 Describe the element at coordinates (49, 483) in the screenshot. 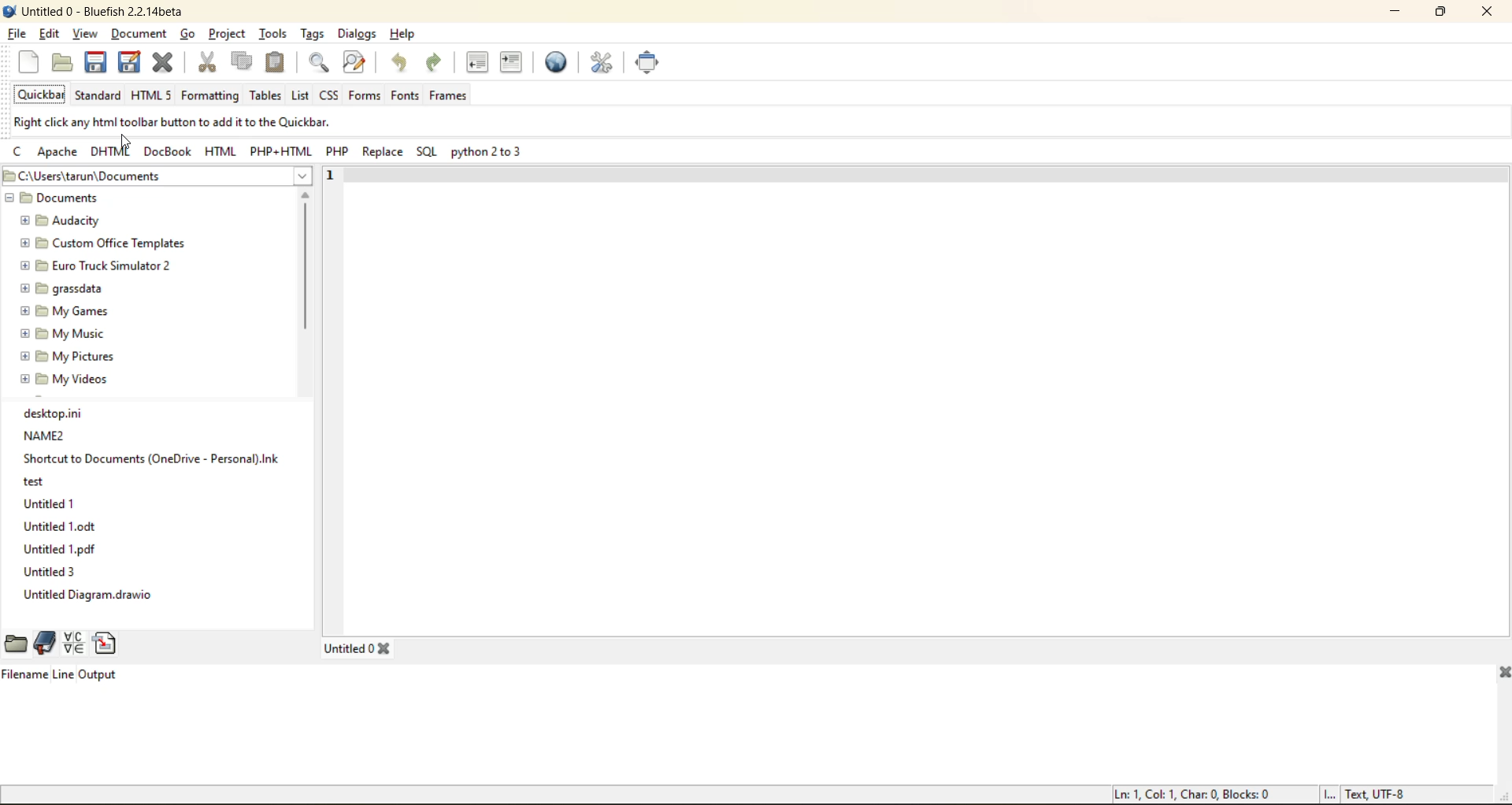

I see `ory` at that location.